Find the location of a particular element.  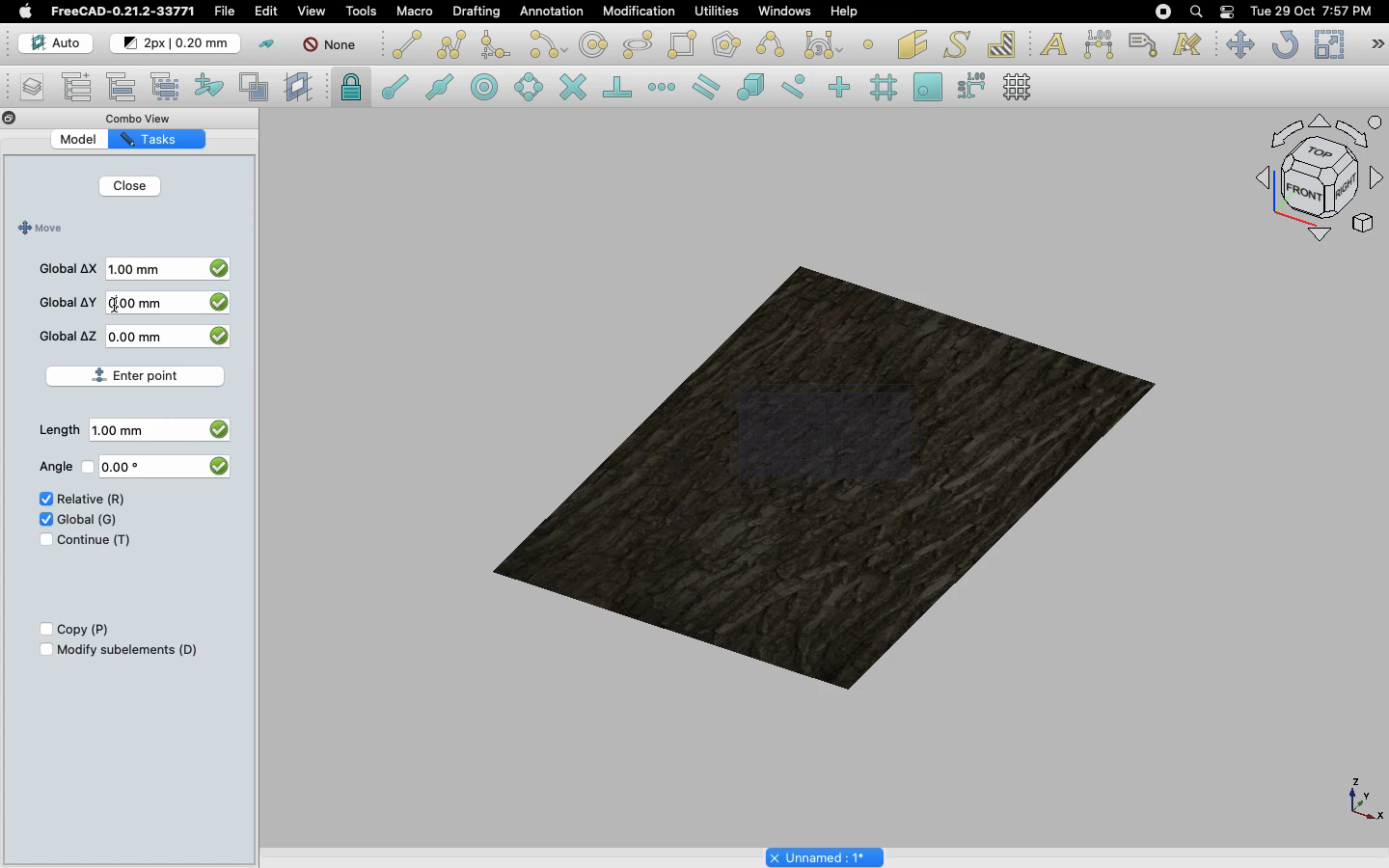

Combo view is located at coordinates (149, 118).